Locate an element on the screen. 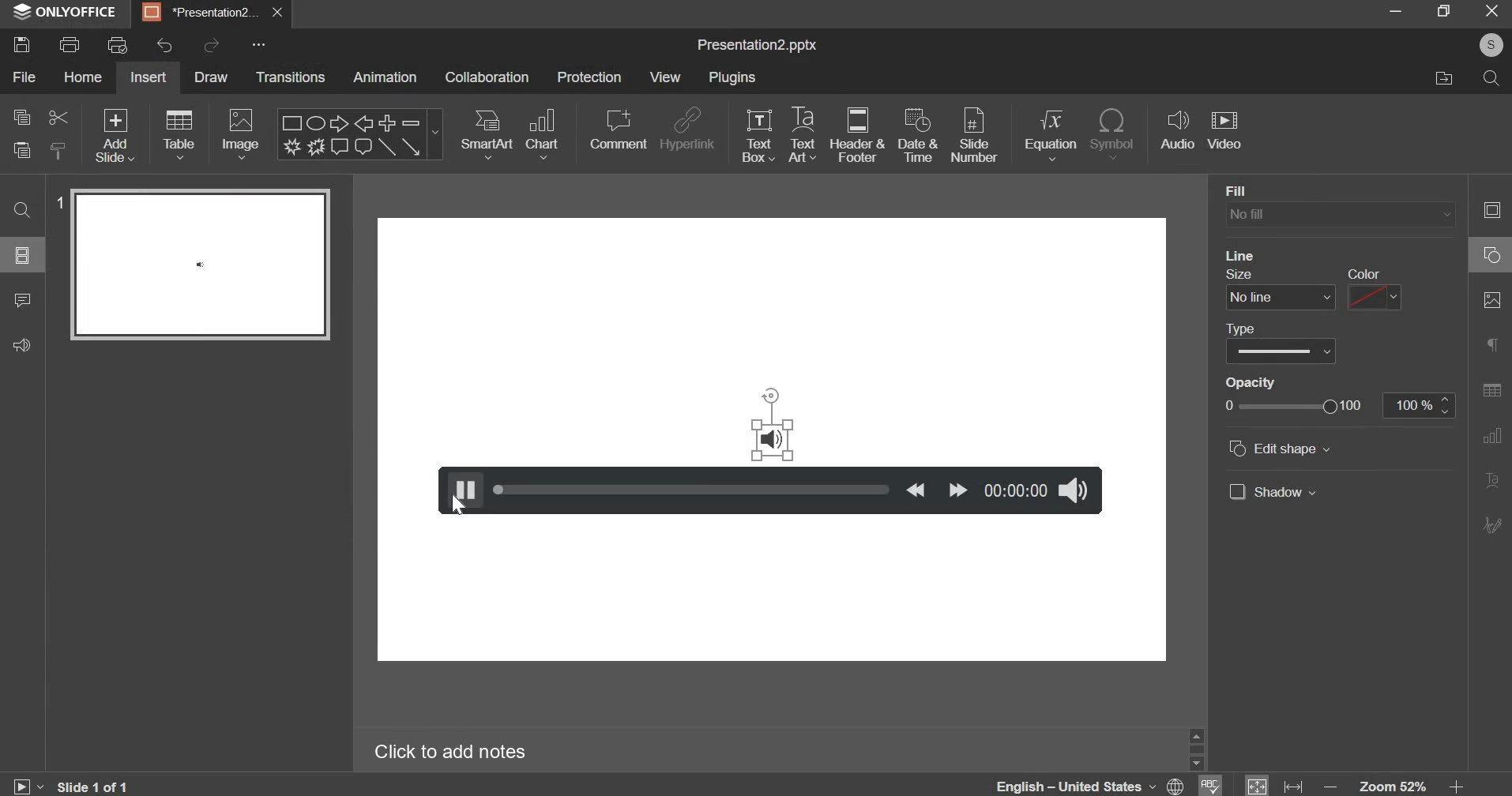 This screenshot has height=796, width=1512. signature settings is located at coordinates (1490, 524).